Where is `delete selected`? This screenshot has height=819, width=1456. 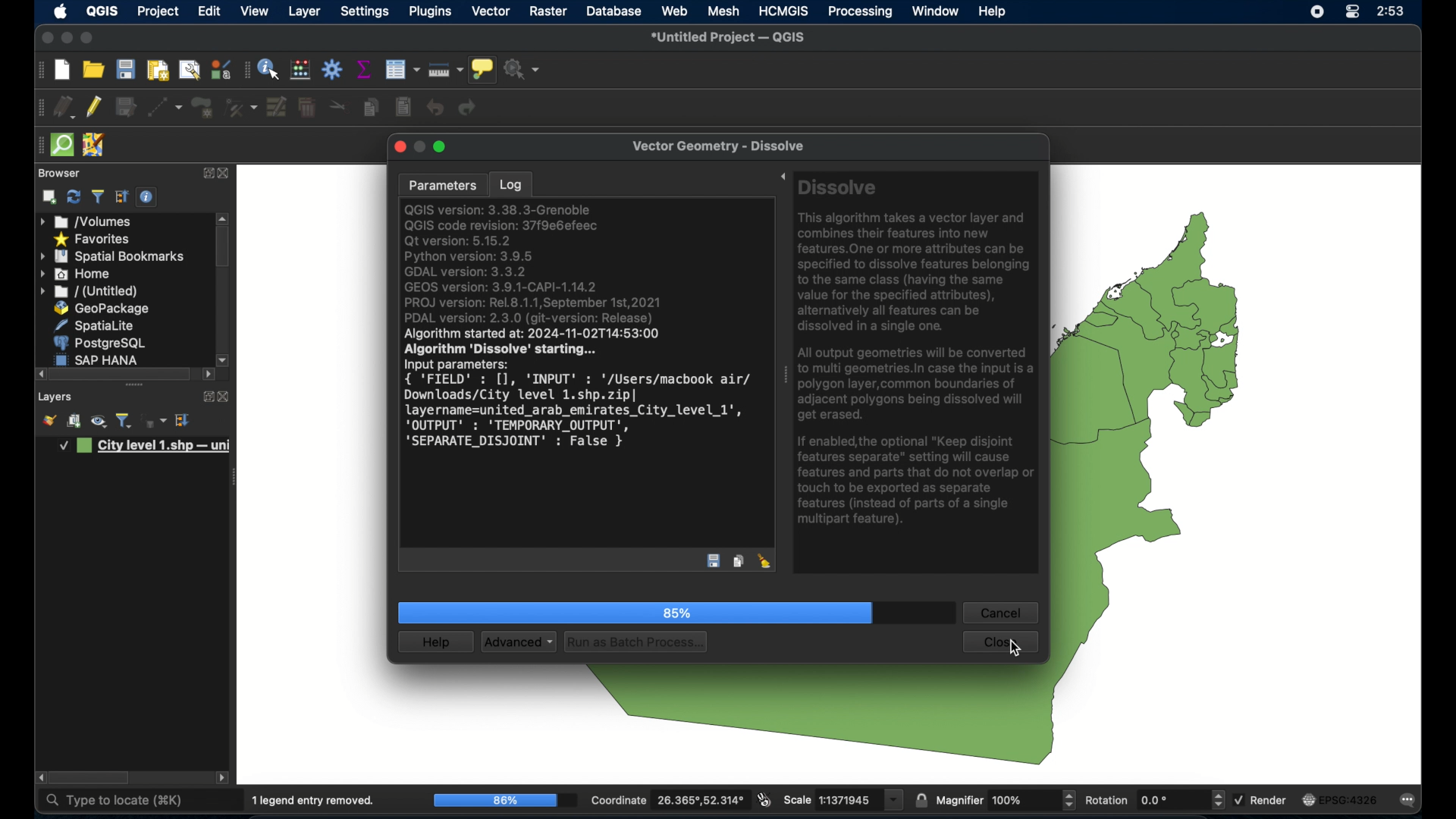
delete selected is located at coordinates (306, 108).